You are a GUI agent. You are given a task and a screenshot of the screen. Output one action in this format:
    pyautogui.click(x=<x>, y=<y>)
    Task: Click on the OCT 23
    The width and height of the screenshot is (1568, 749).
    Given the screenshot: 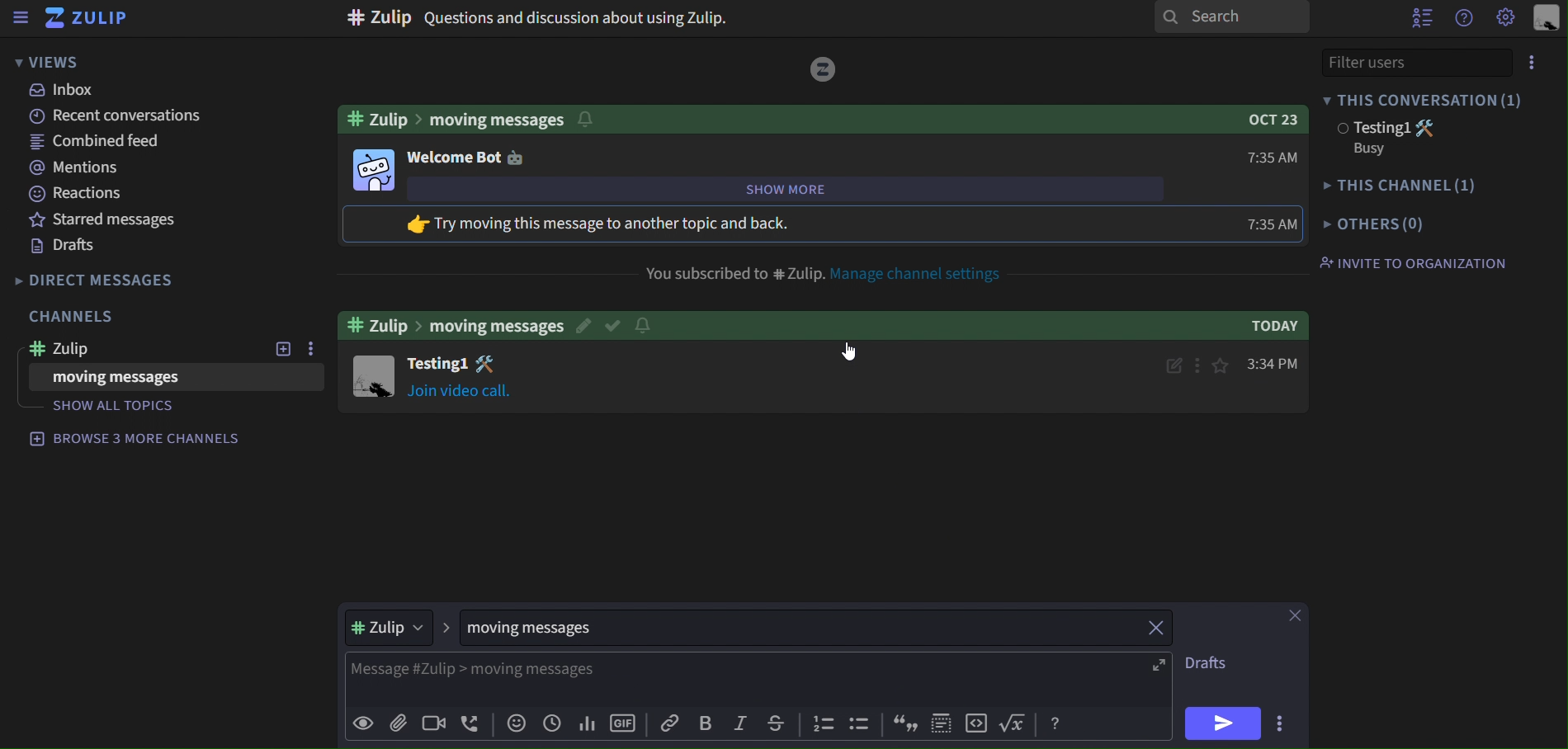 What is the action you would take?
    pyautogui.click(x=1266, y=118)
    